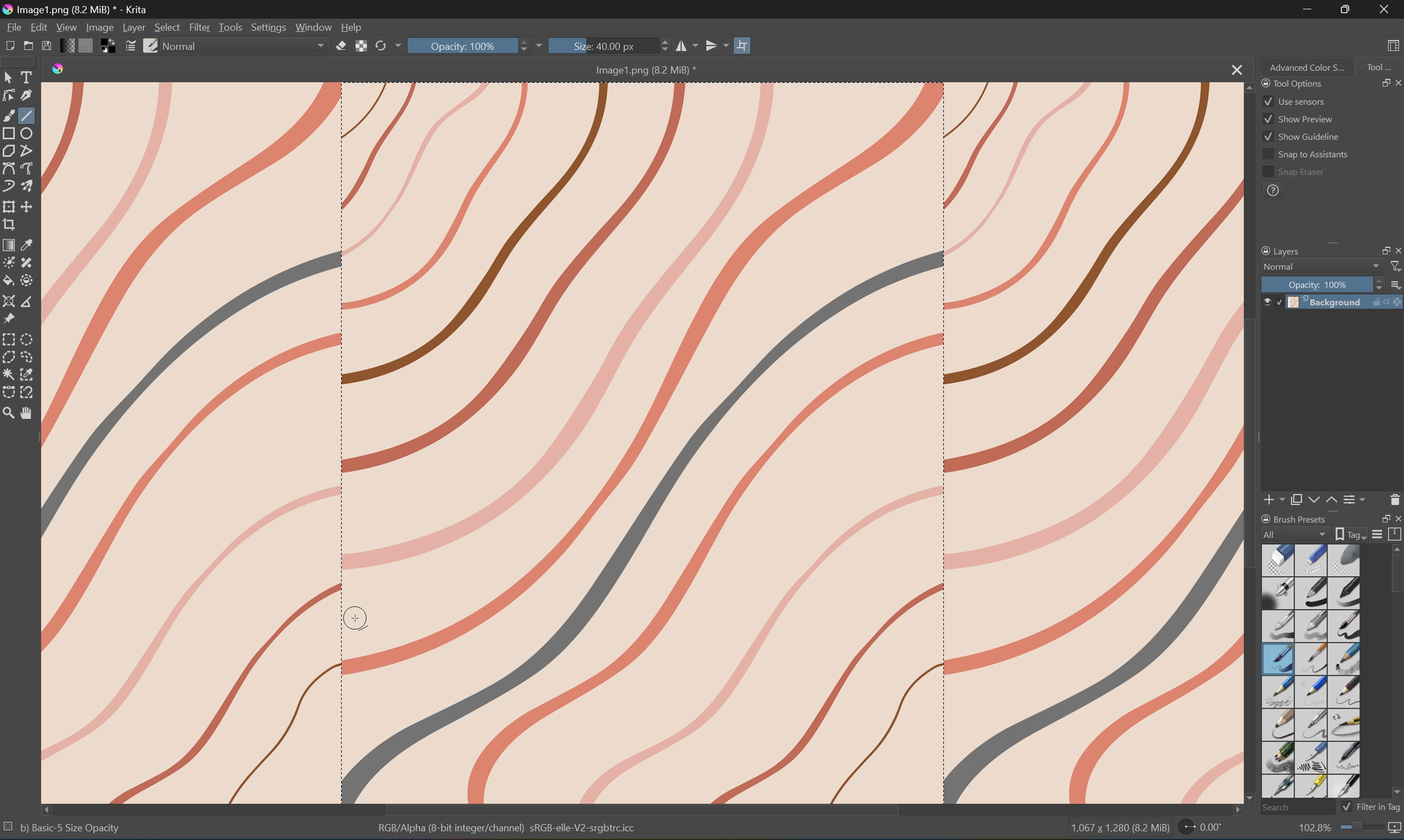  What do you see at coordinates (1375, 284) in the screenshot?
I see `Slider` at bounding box center [1375, 284].